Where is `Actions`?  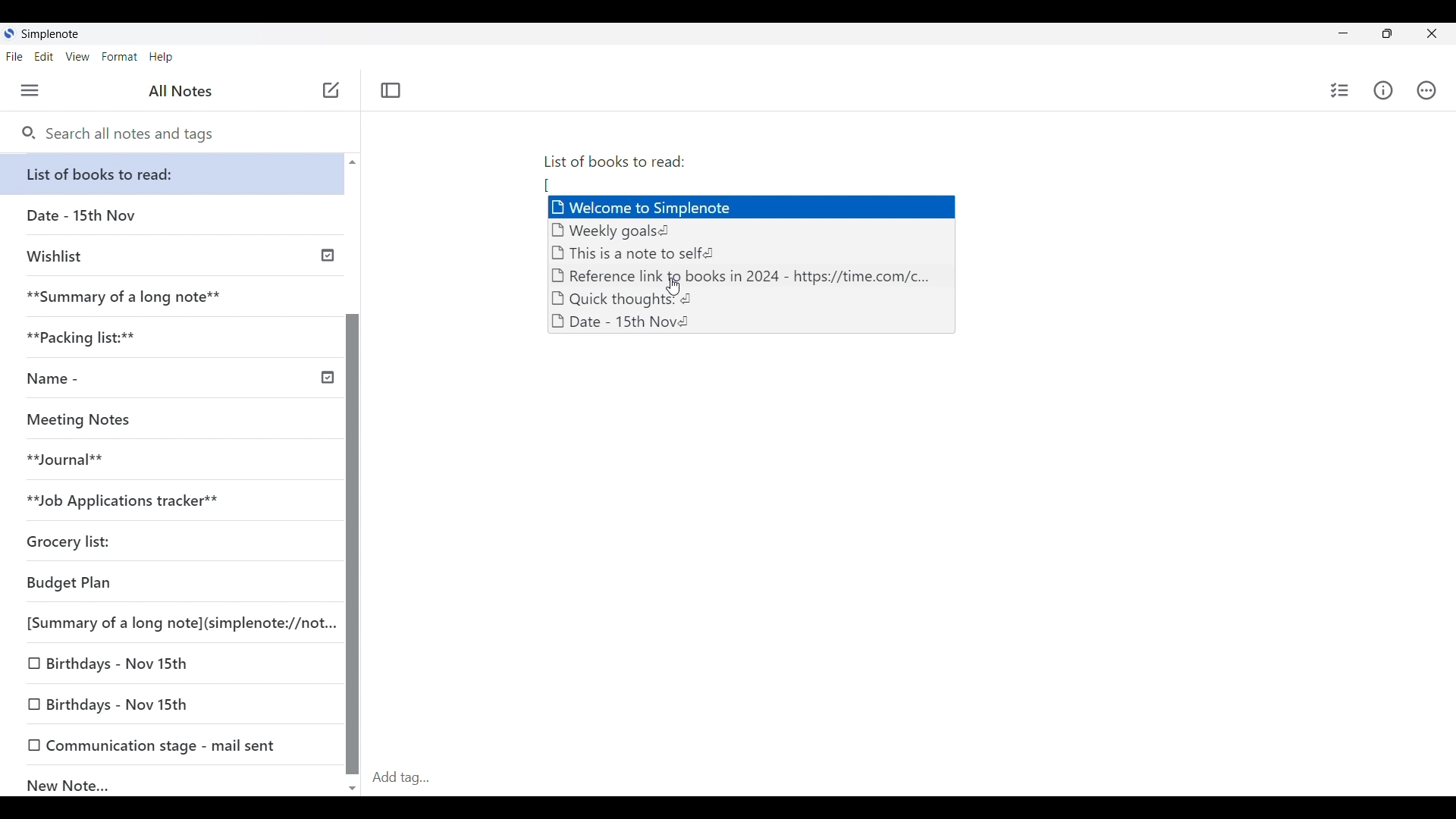
Actions is located at coordinates (1426, 90).